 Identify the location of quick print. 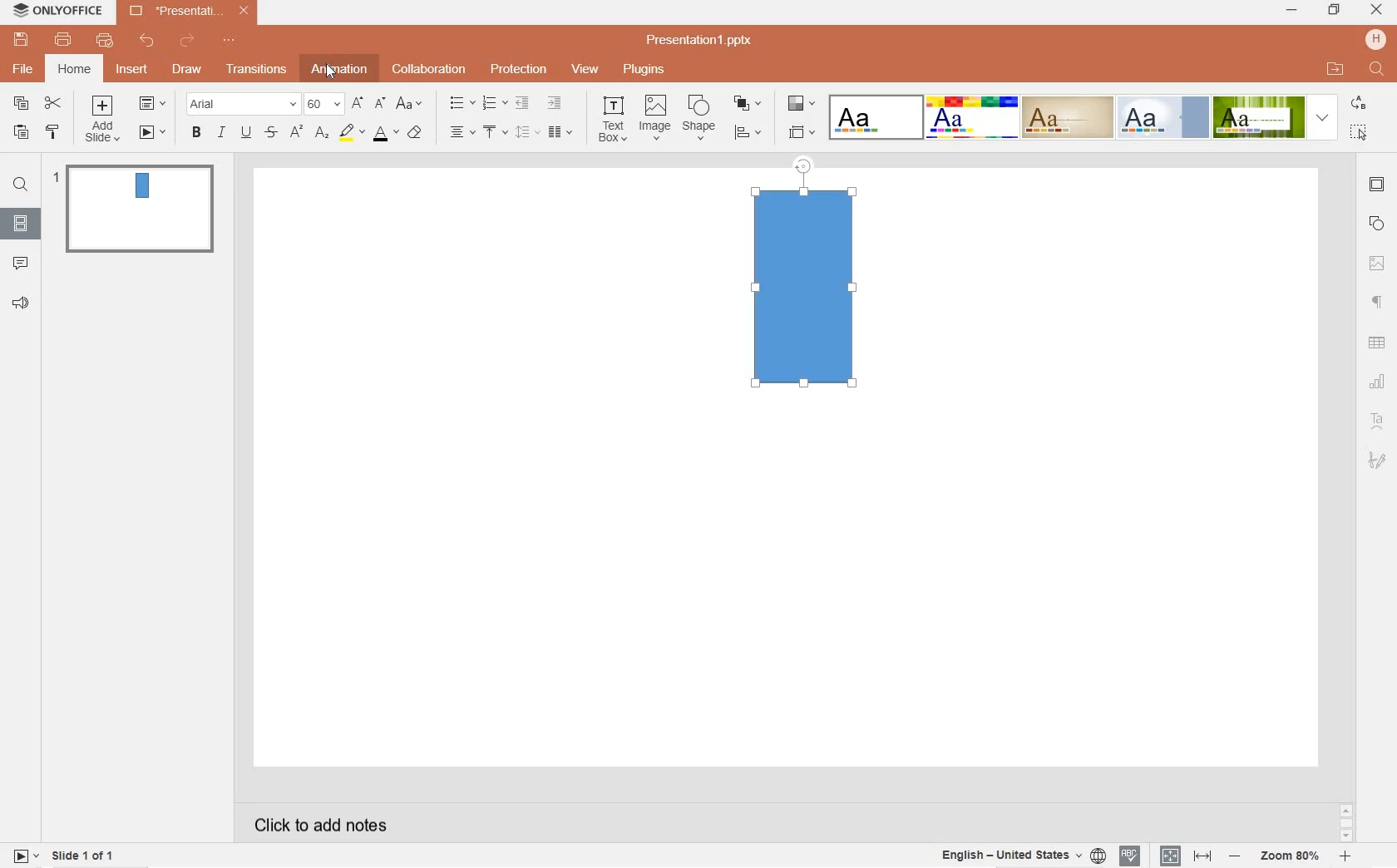
(104, 42).